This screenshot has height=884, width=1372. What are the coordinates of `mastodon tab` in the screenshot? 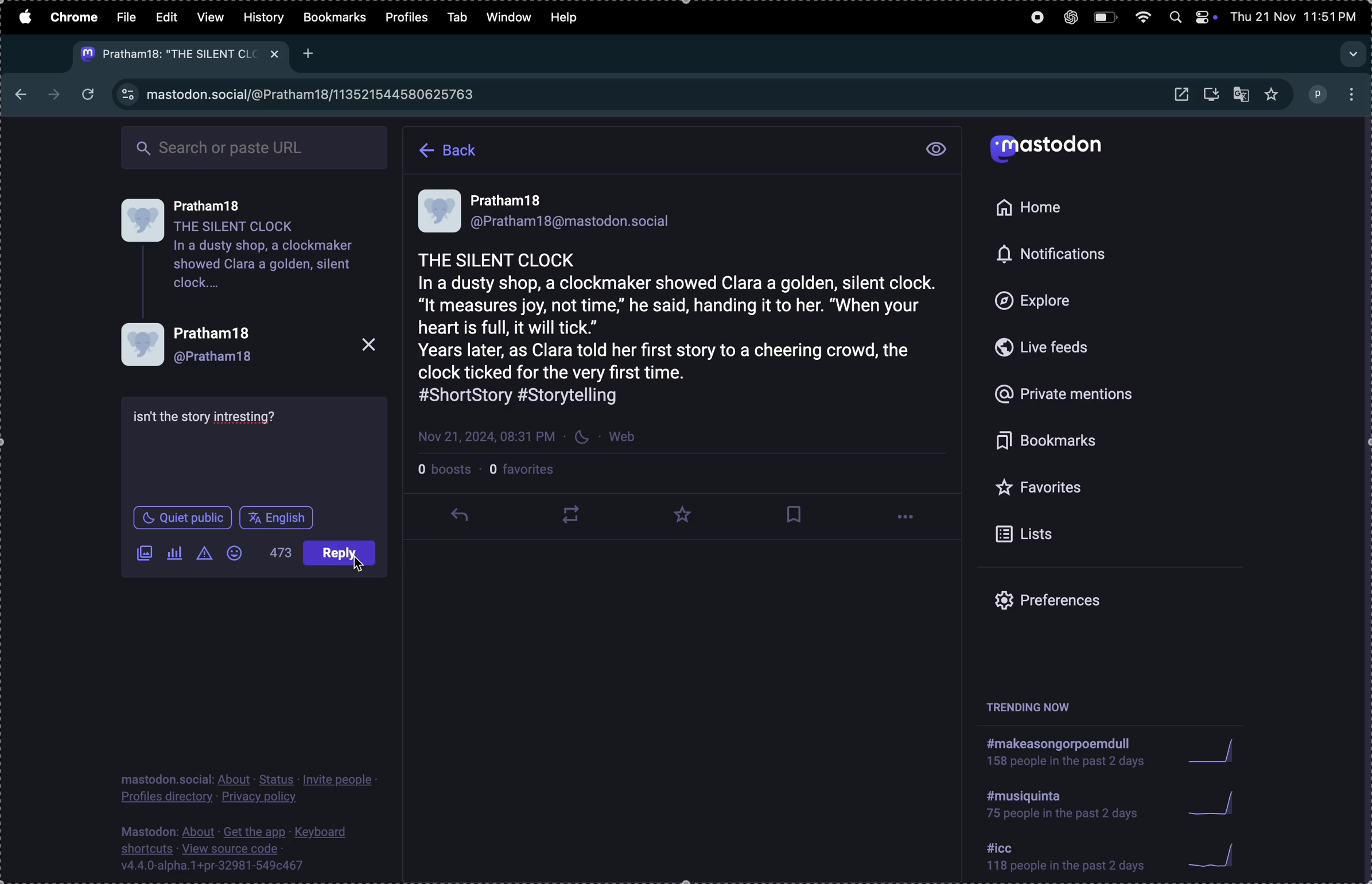 It's located at (175, 55).